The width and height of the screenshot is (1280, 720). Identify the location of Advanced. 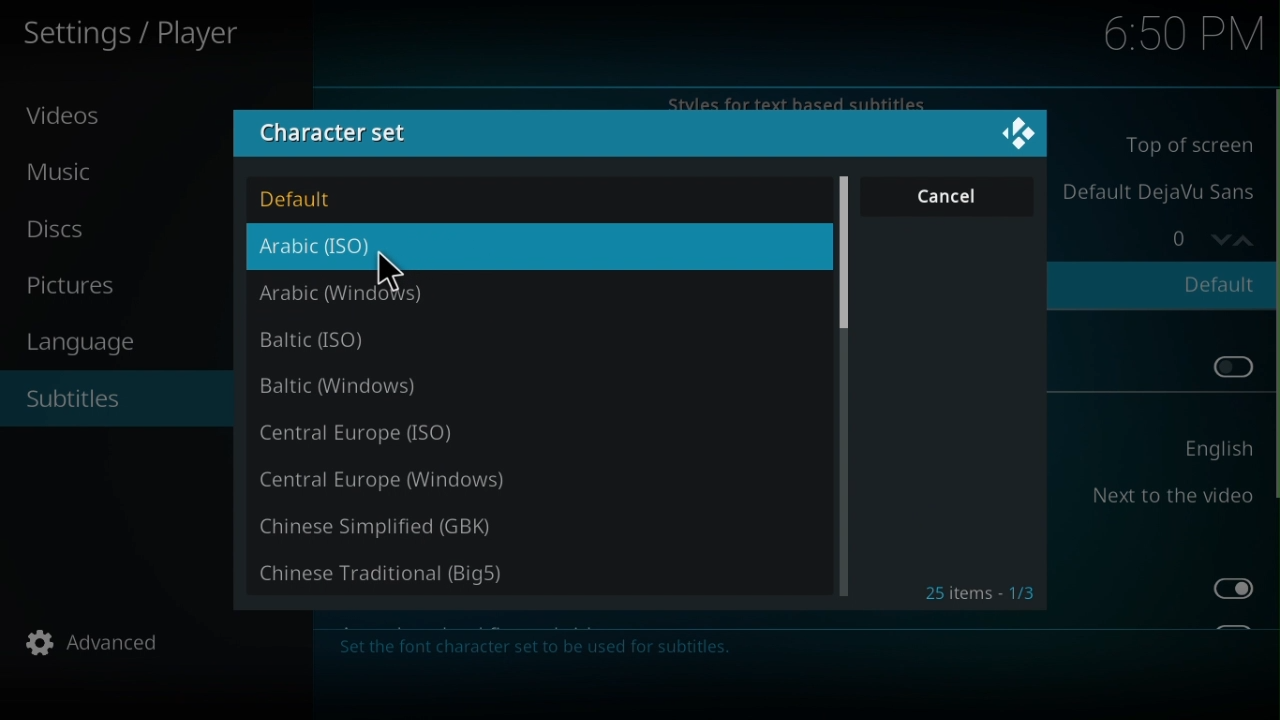
(102, 644).